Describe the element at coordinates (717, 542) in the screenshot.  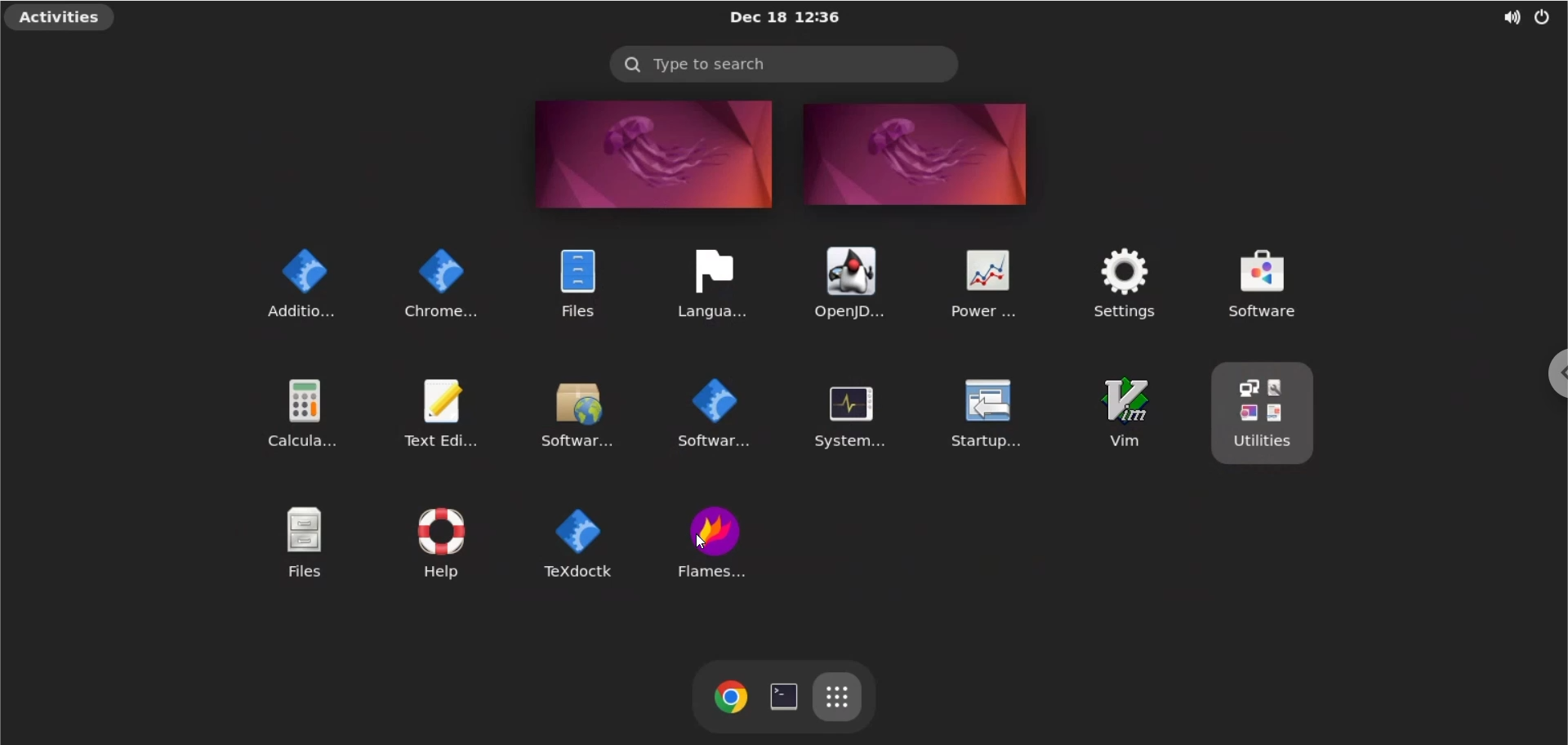
I see `flameshot` at that location.